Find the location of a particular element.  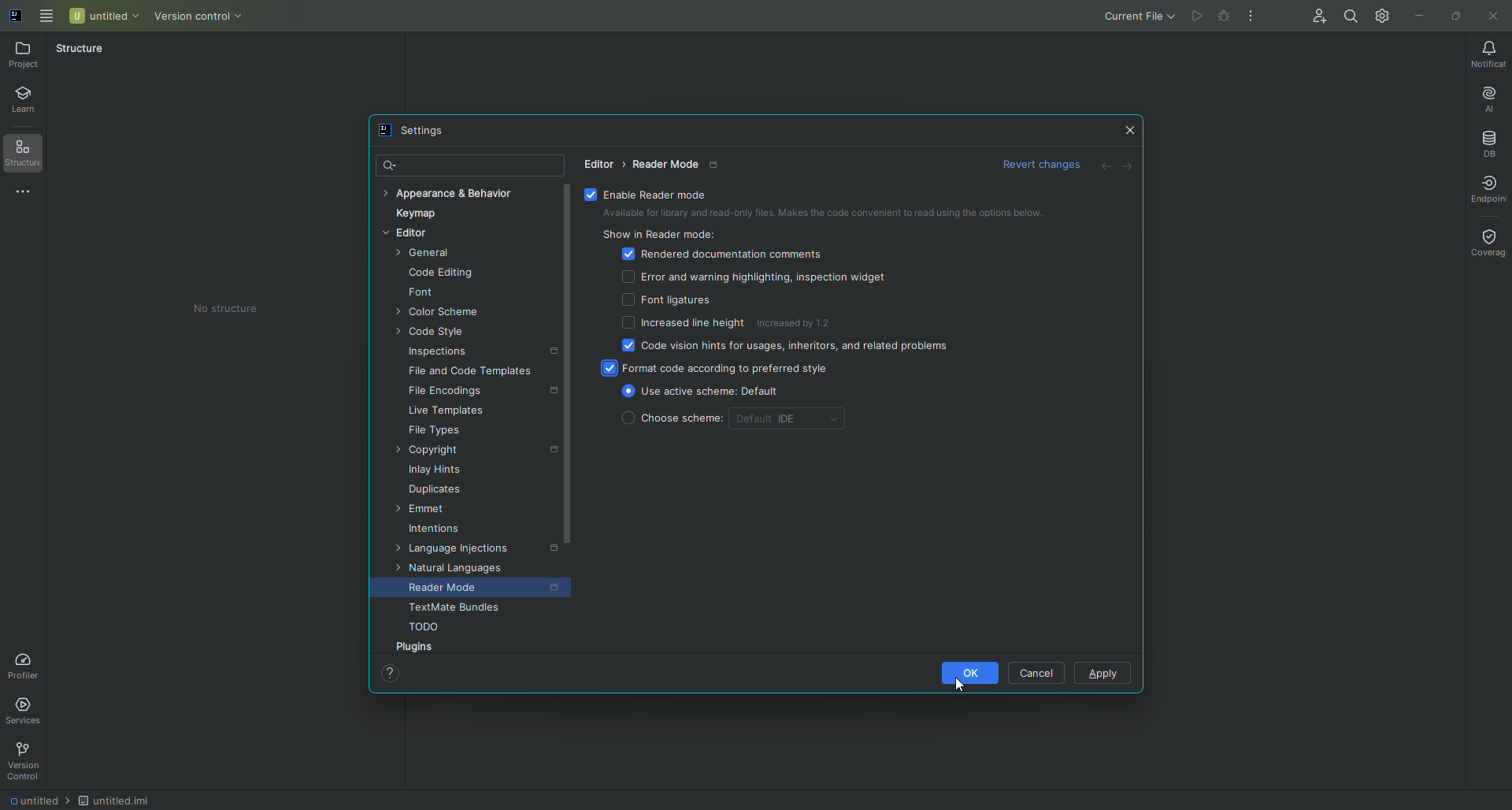

More Actions is located at coordinates (1252, 17).